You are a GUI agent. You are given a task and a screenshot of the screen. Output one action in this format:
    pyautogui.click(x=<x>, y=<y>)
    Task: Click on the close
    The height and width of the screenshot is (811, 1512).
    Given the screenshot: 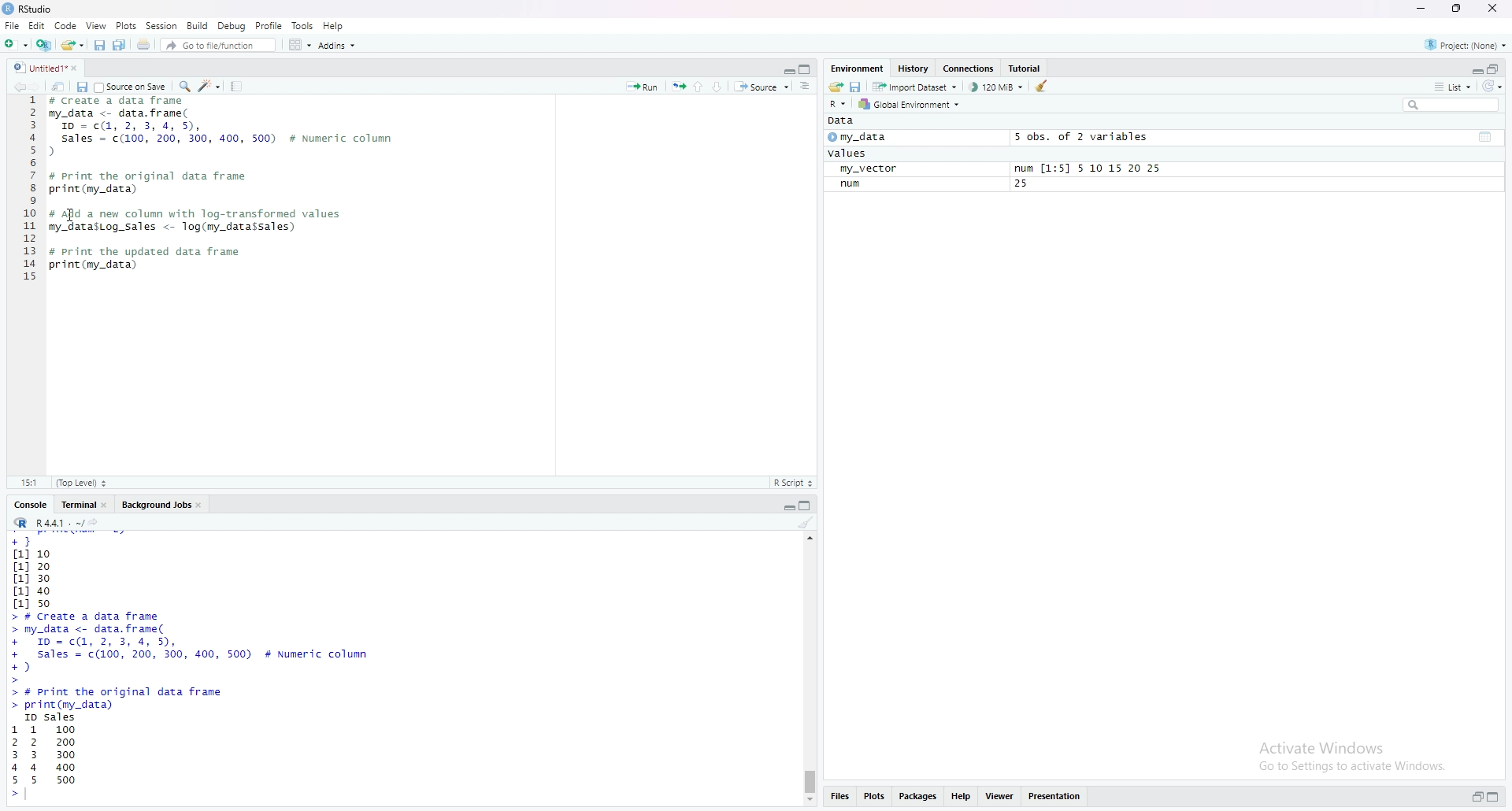 What is the action you would take?
    pyautogui.click(x=1499, y=9)
    